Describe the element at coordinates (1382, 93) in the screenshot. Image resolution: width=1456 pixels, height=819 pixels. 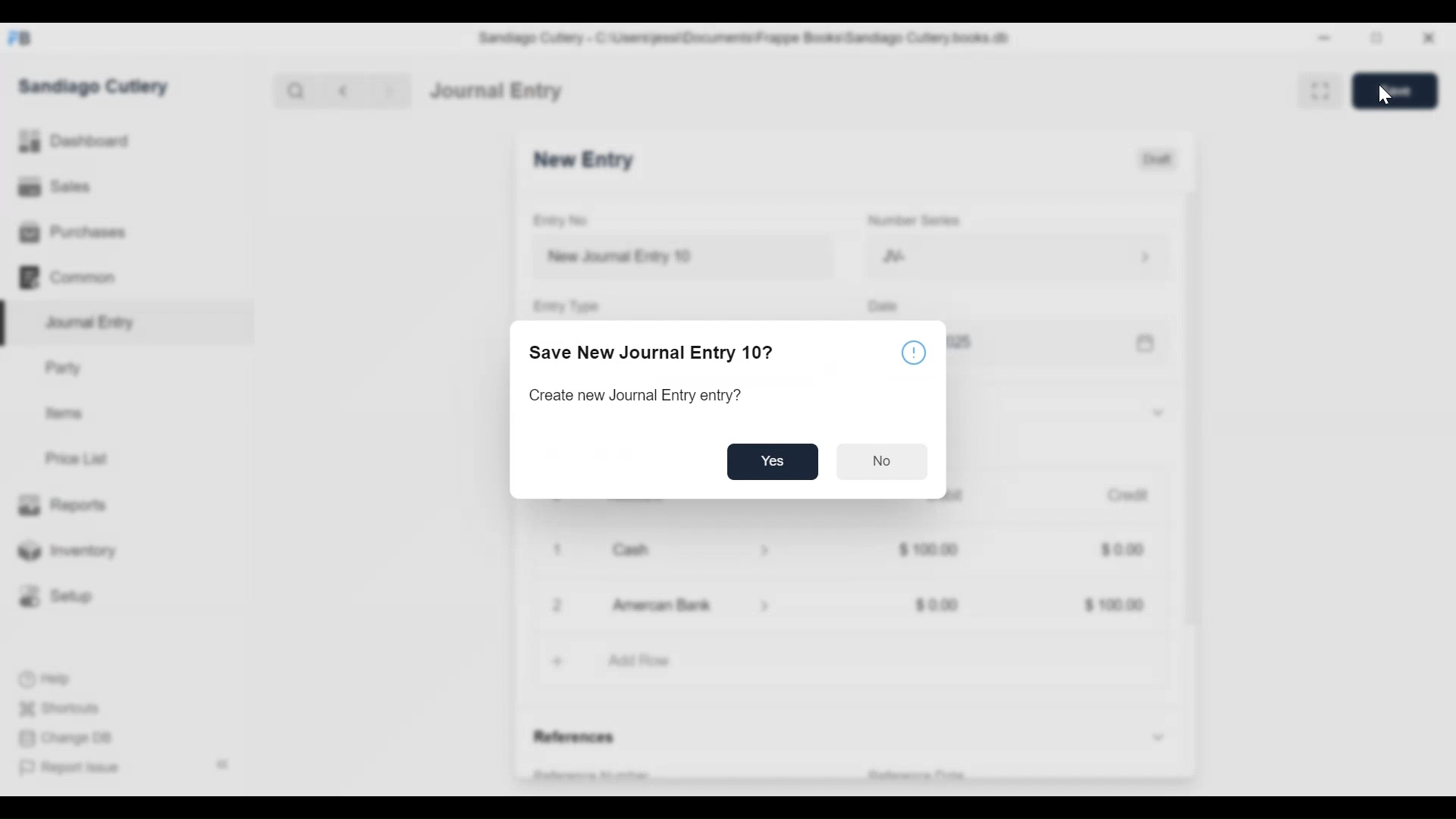
I see `cursor` at that location.